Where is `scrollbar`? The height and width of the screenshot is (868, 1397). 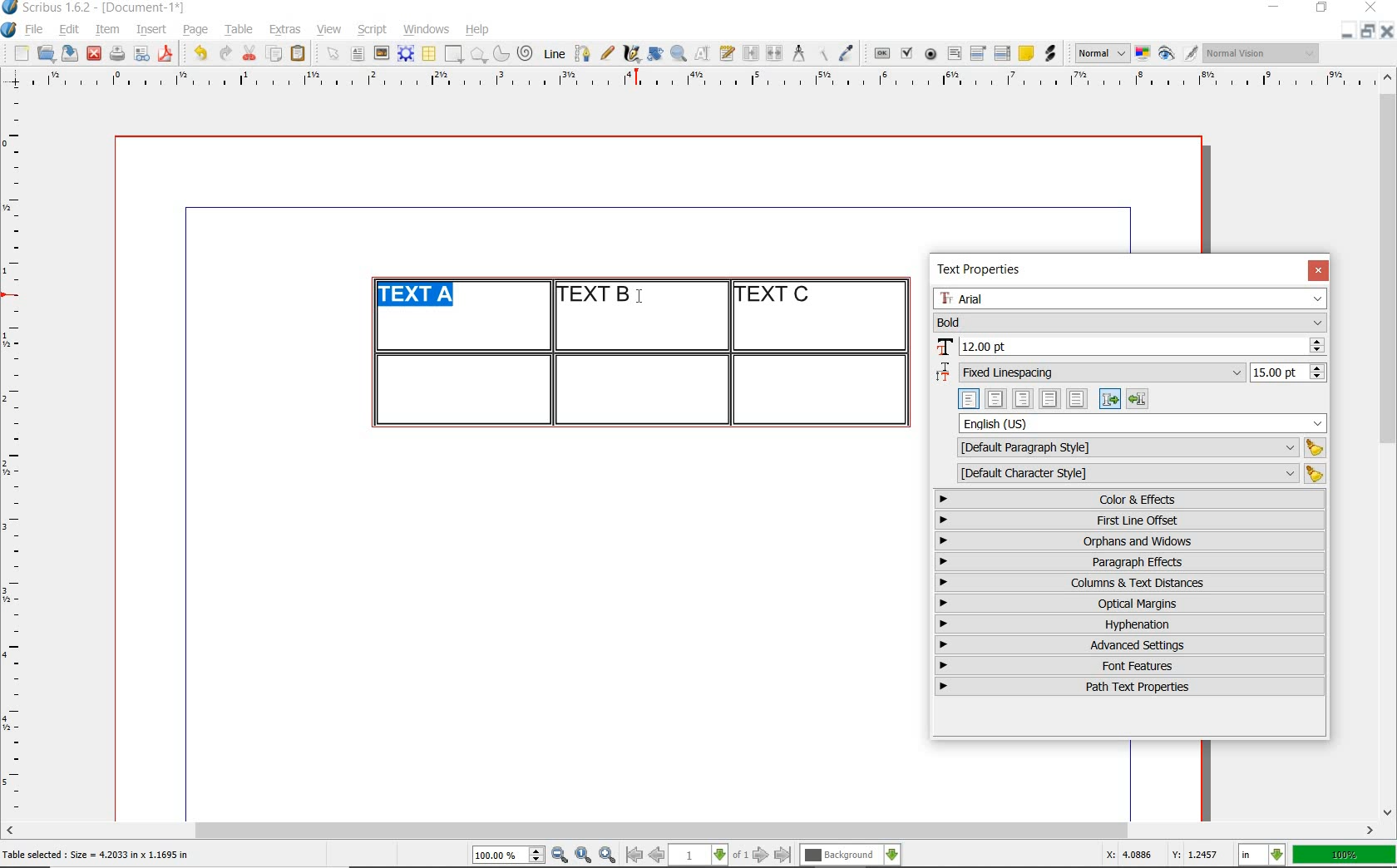
scrollbar is located at coordinates (1389, 443).